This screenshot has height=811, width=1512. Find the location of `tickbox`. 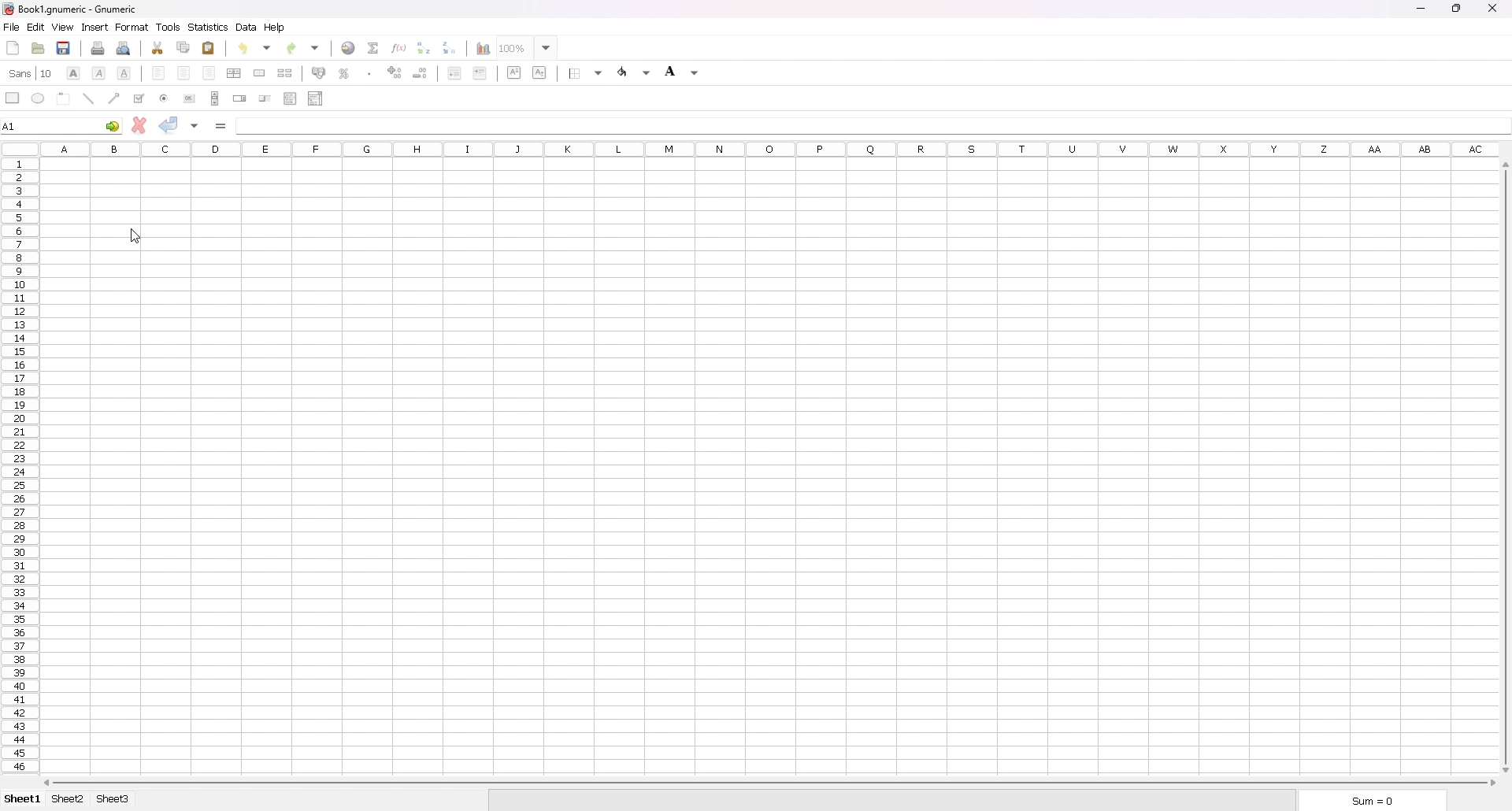

tickbox is located at coordinates (139, 98).